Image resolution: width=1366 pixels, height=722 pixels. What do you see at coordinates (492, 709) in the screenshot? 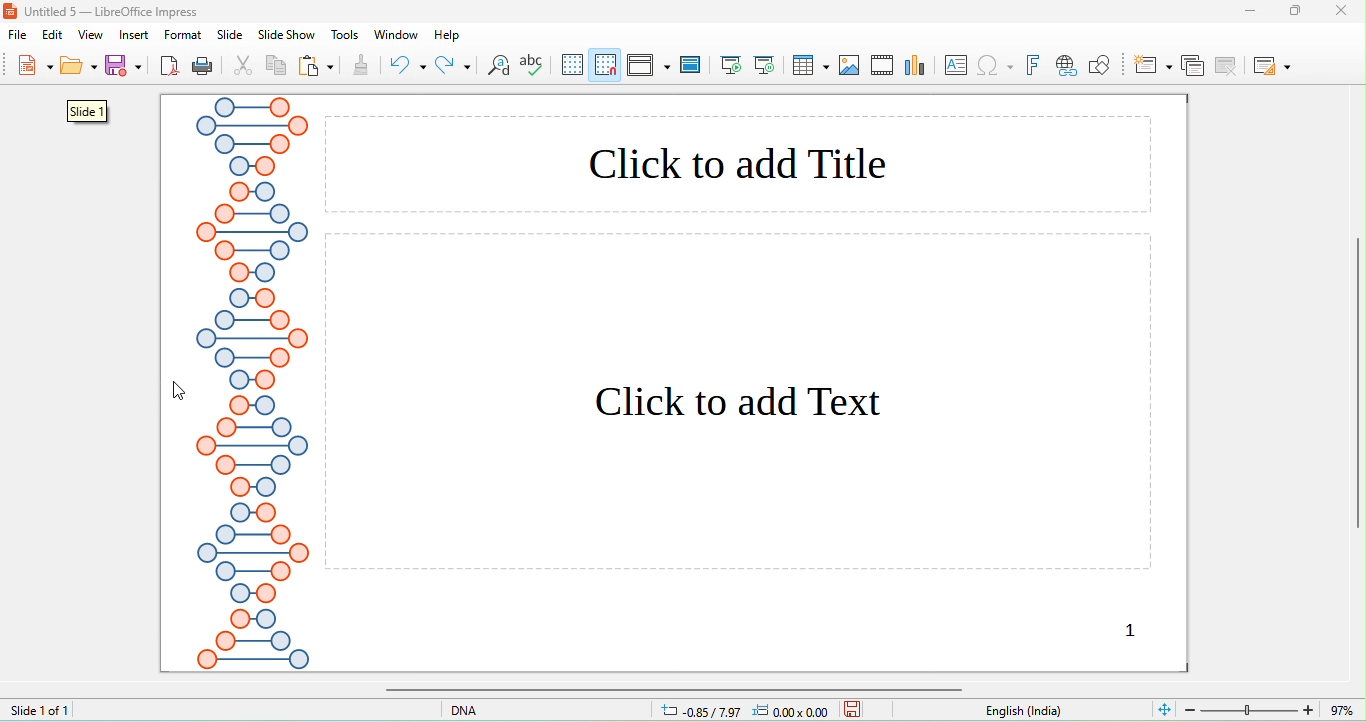
I see `DNA` at bounding box center [492, 709].